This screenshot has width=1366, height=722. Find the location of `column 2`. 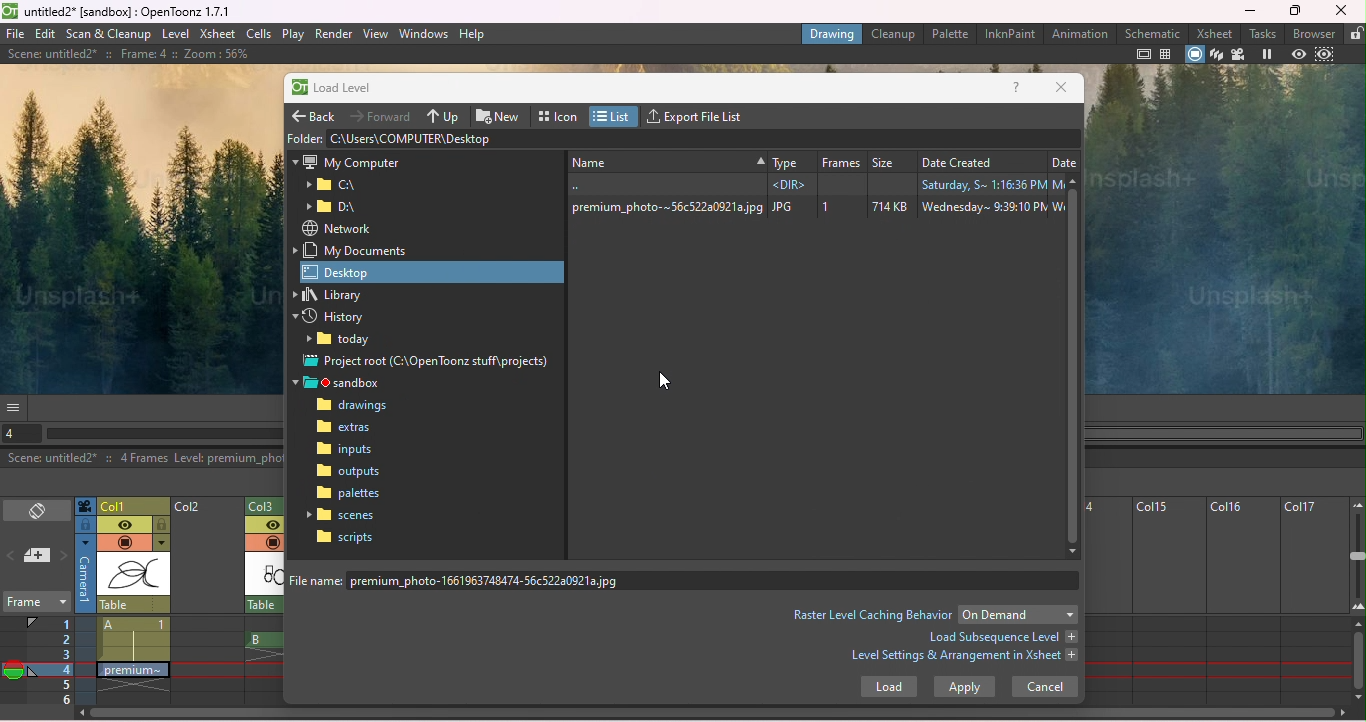

column 2 is located at coordinates (207, 602).